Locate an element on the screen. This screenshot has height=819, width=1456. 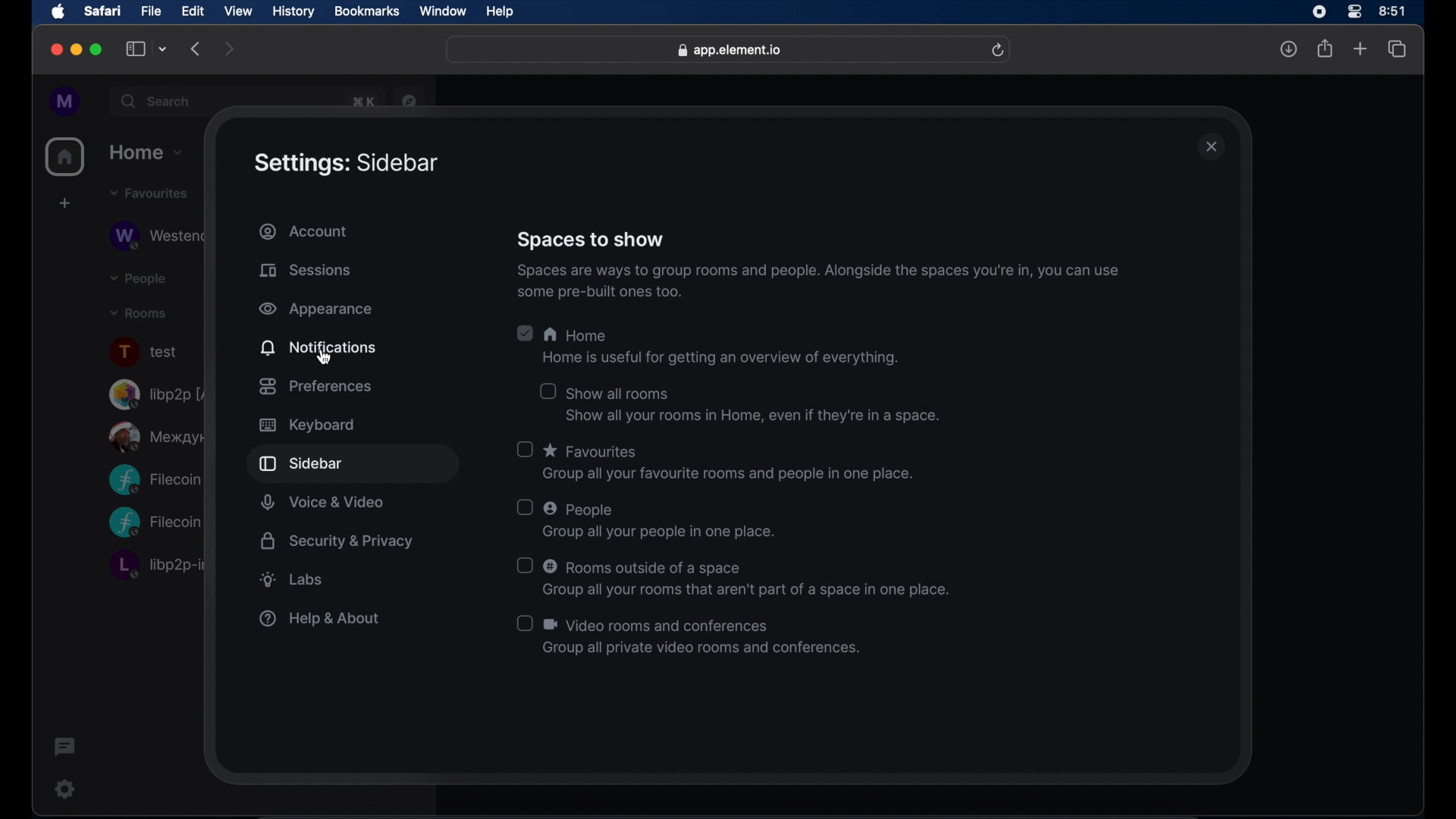
cursor is located at coordinates (327, 355).